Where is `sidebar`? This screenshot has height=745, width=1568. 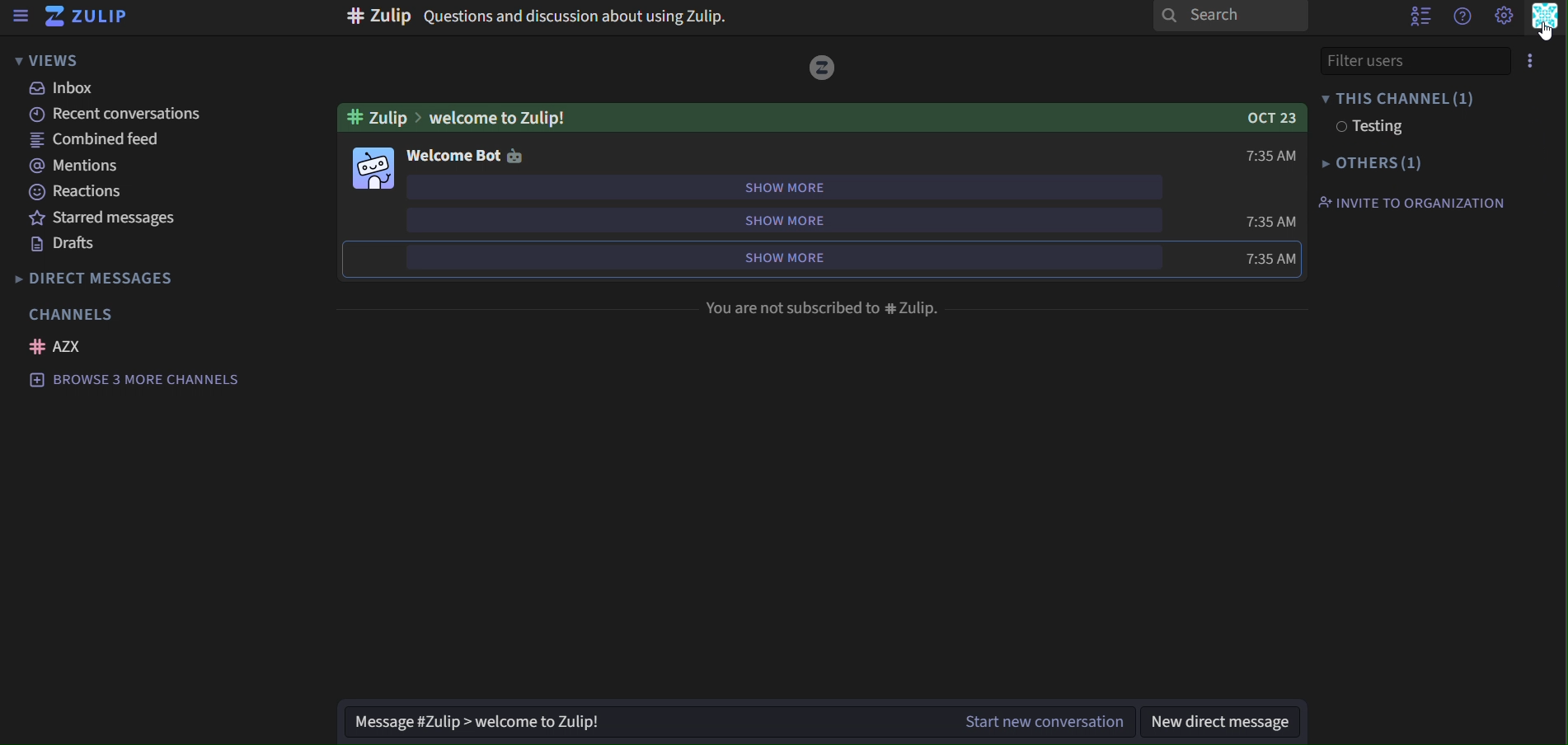
sidebar is located at coordinates (20, 16).